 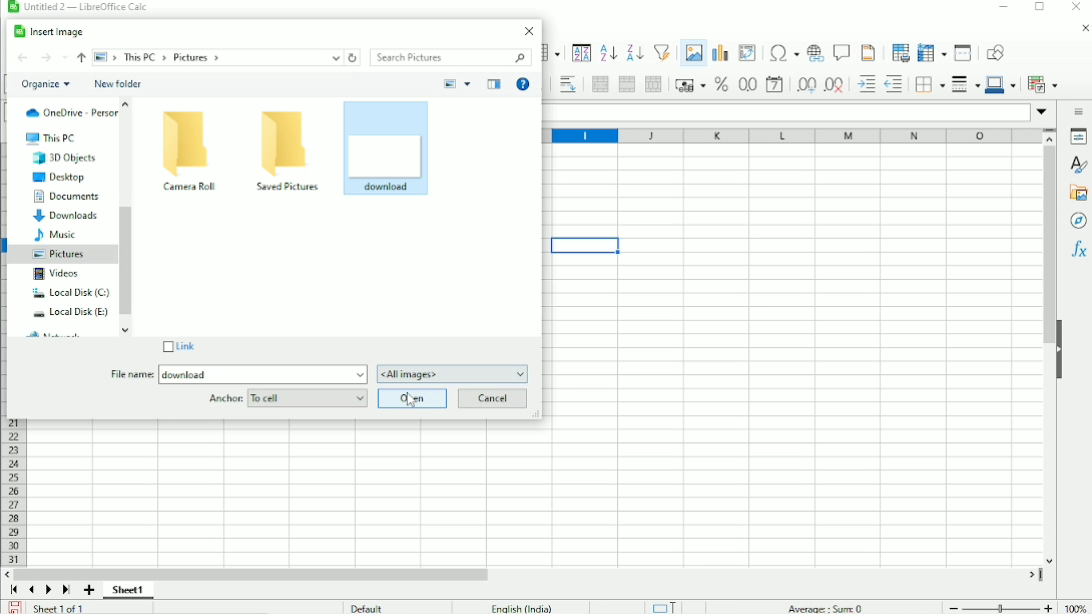 What do you see at coordinates (719, 49) in the screenshot?
I see `Insert chart` at bounding box center [719, 49].